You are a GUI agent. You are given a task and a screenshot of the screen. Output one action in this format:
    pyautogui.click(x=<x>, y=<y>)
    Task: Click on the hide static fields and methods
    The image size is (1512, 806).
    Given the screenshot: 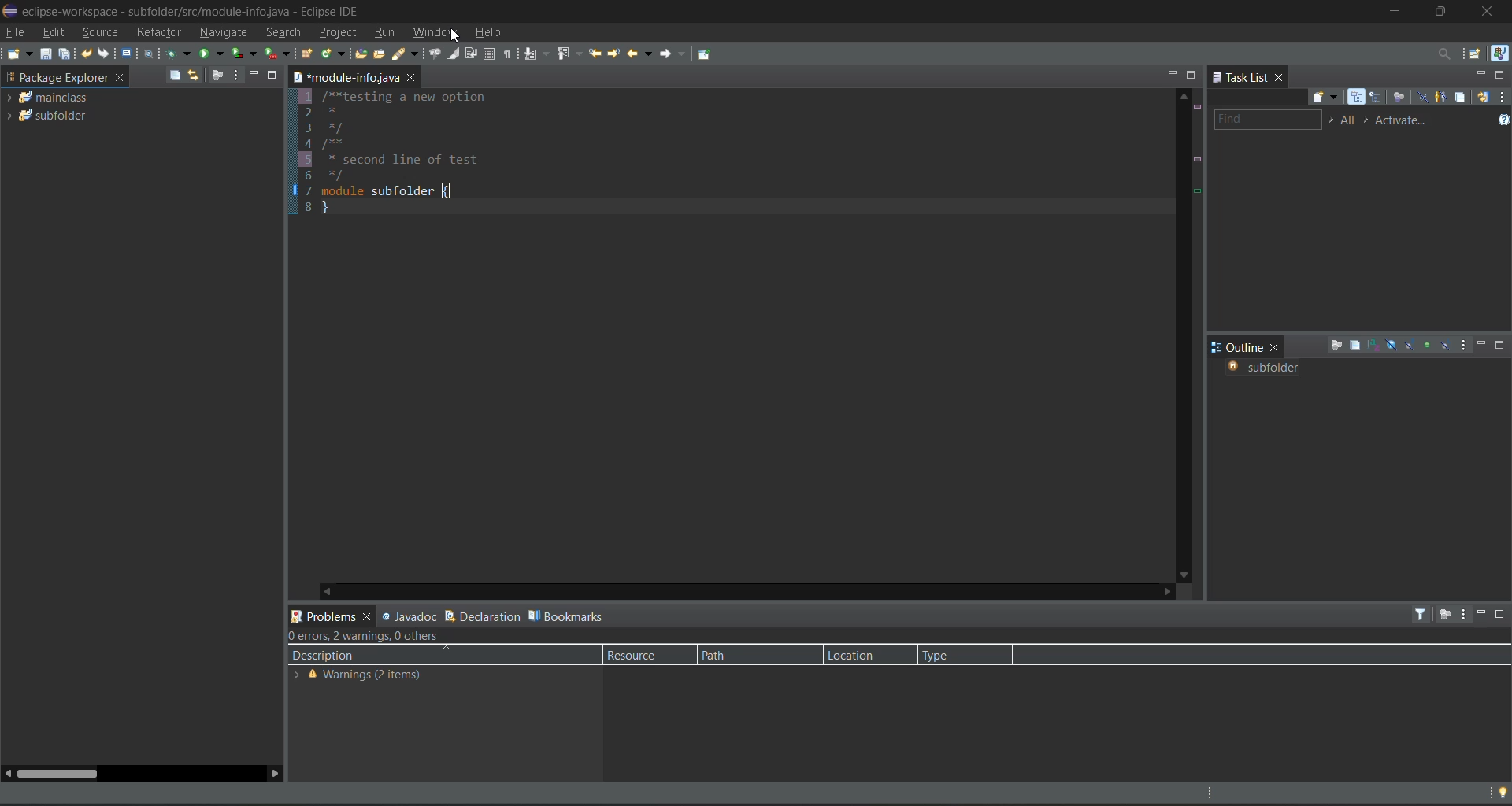 What is the action you would take?
    pyautogui.click(x=1408, y=346)
    